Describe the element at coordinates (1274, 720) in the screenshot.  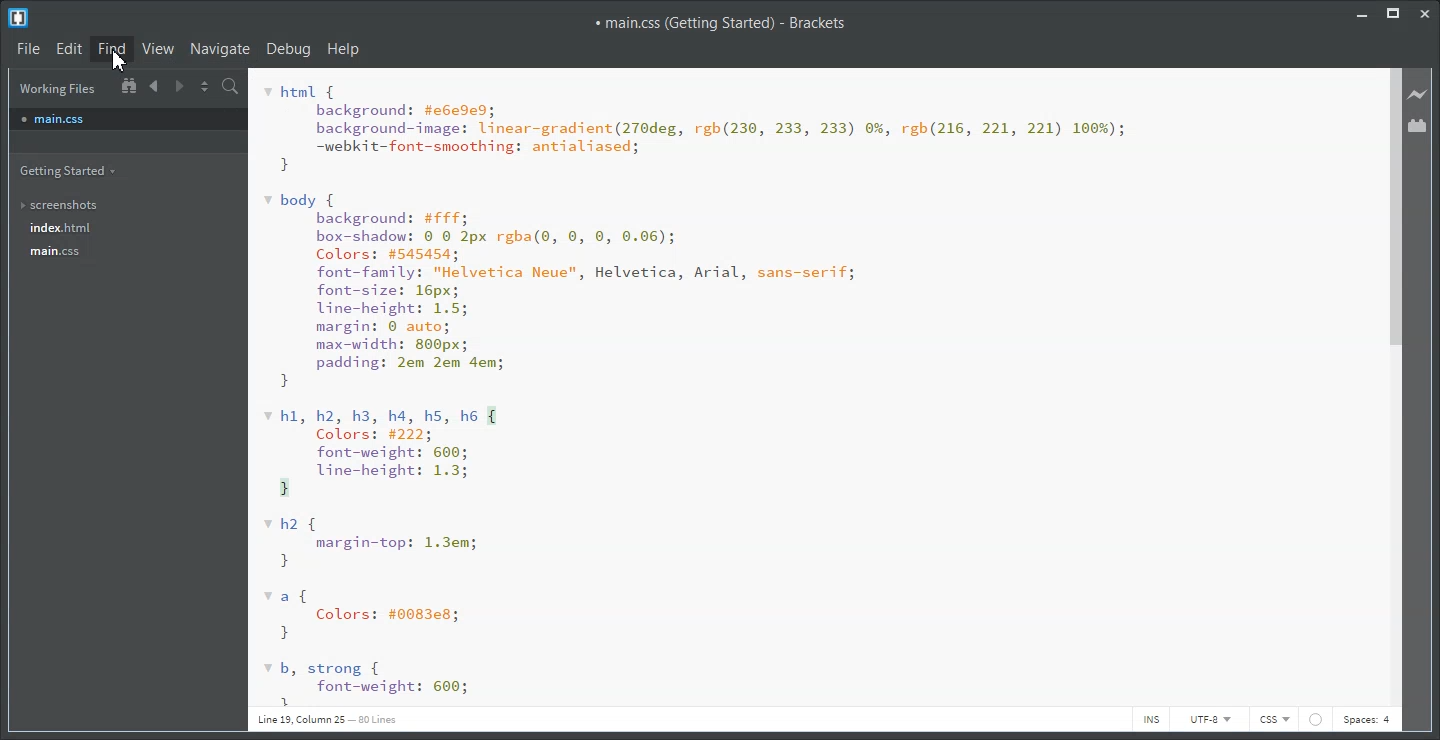
I see `CSS` at that location.